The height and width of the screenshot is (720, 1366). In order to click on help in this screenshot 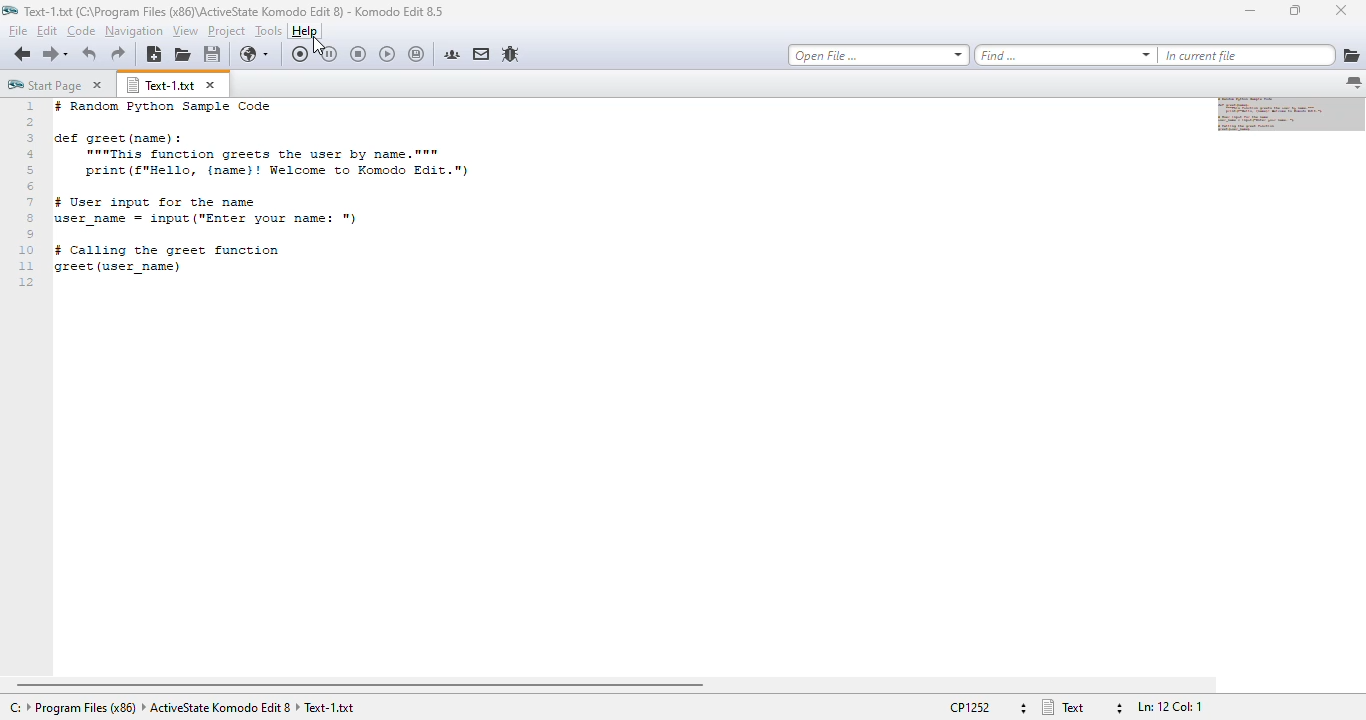, I will do `click(305, 31)`.